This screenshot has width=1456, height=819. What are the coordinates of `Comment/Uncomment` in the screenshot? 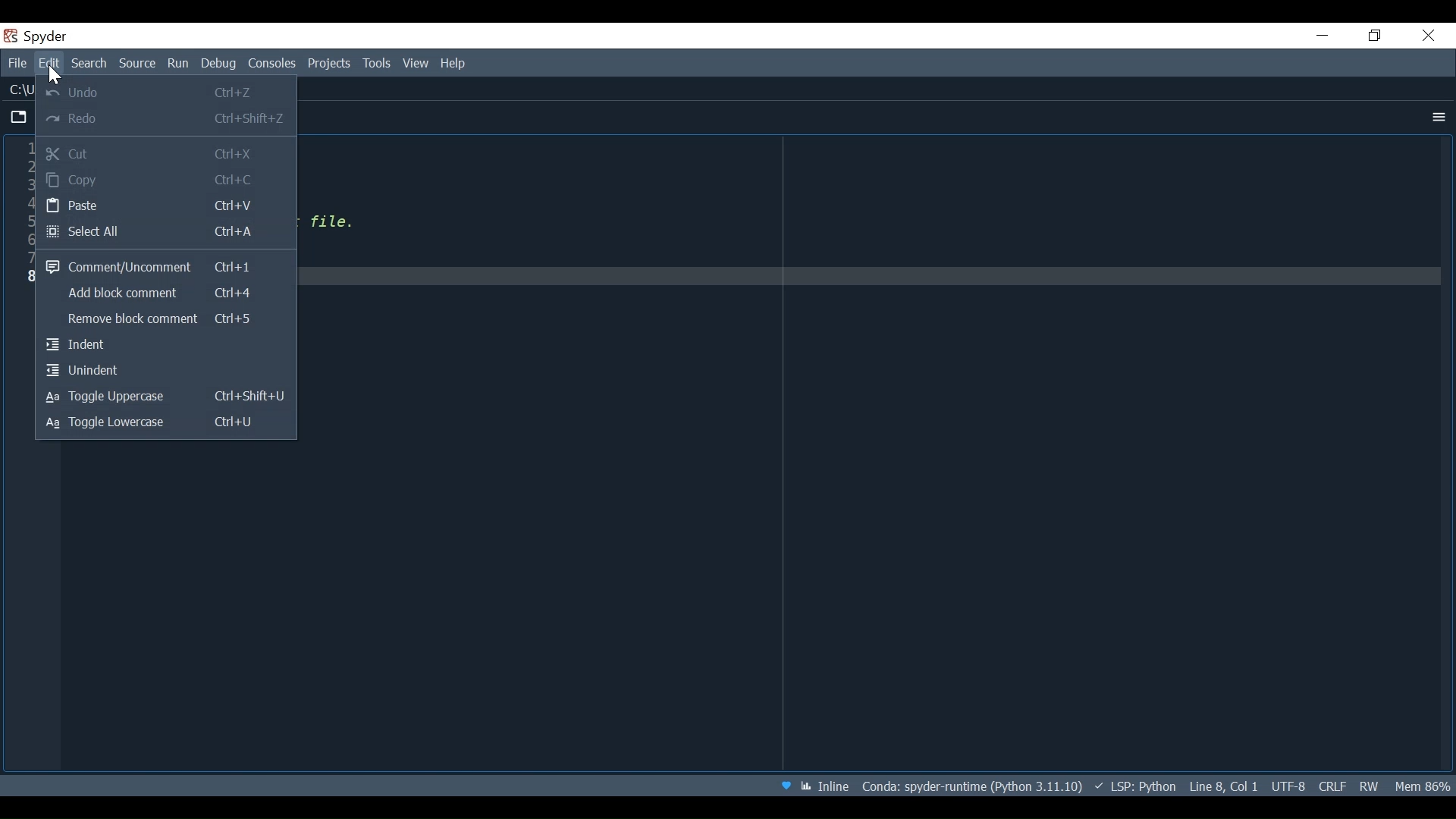 It's located at (118, 265).